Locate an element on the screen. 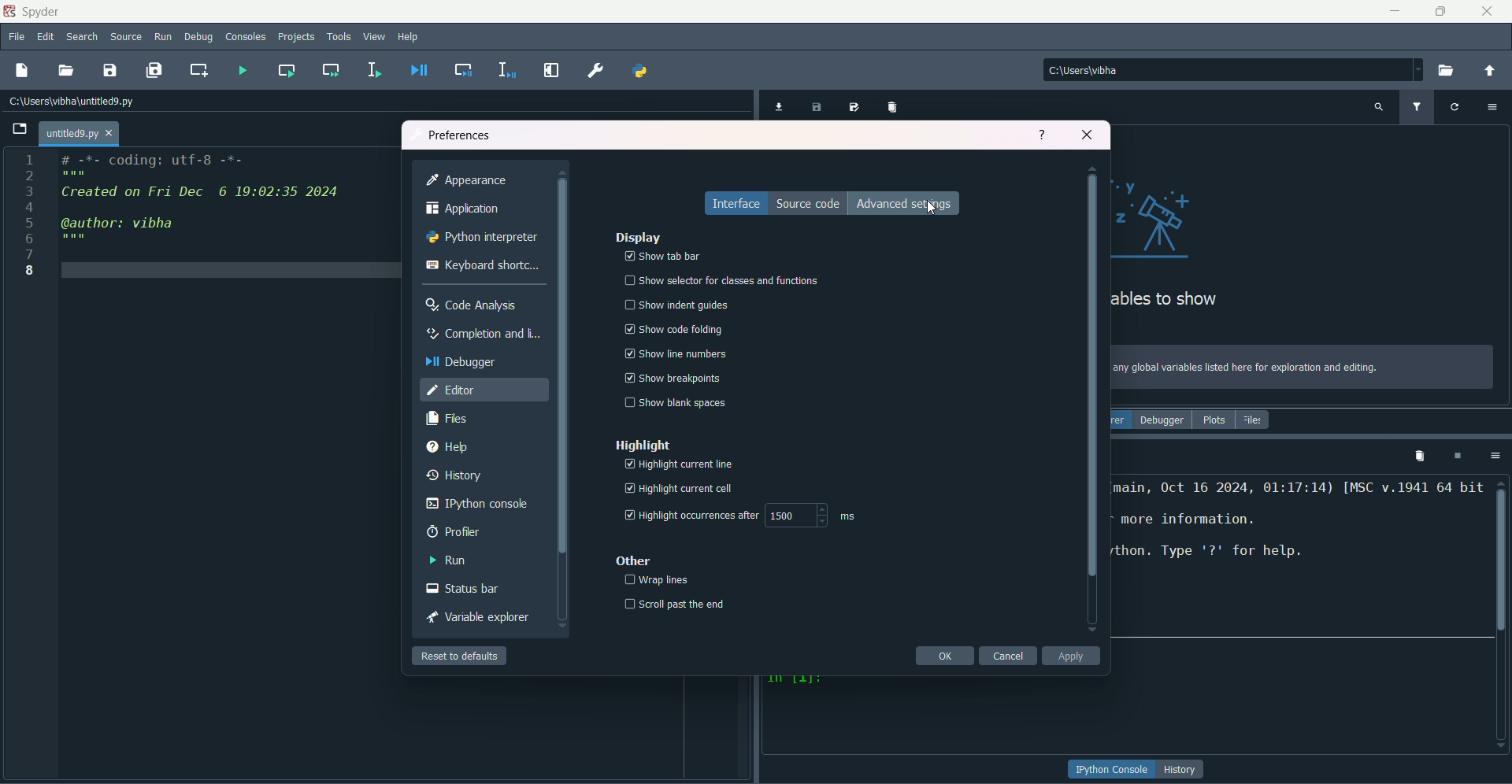  debug cell is located at coordinates (465, 70).